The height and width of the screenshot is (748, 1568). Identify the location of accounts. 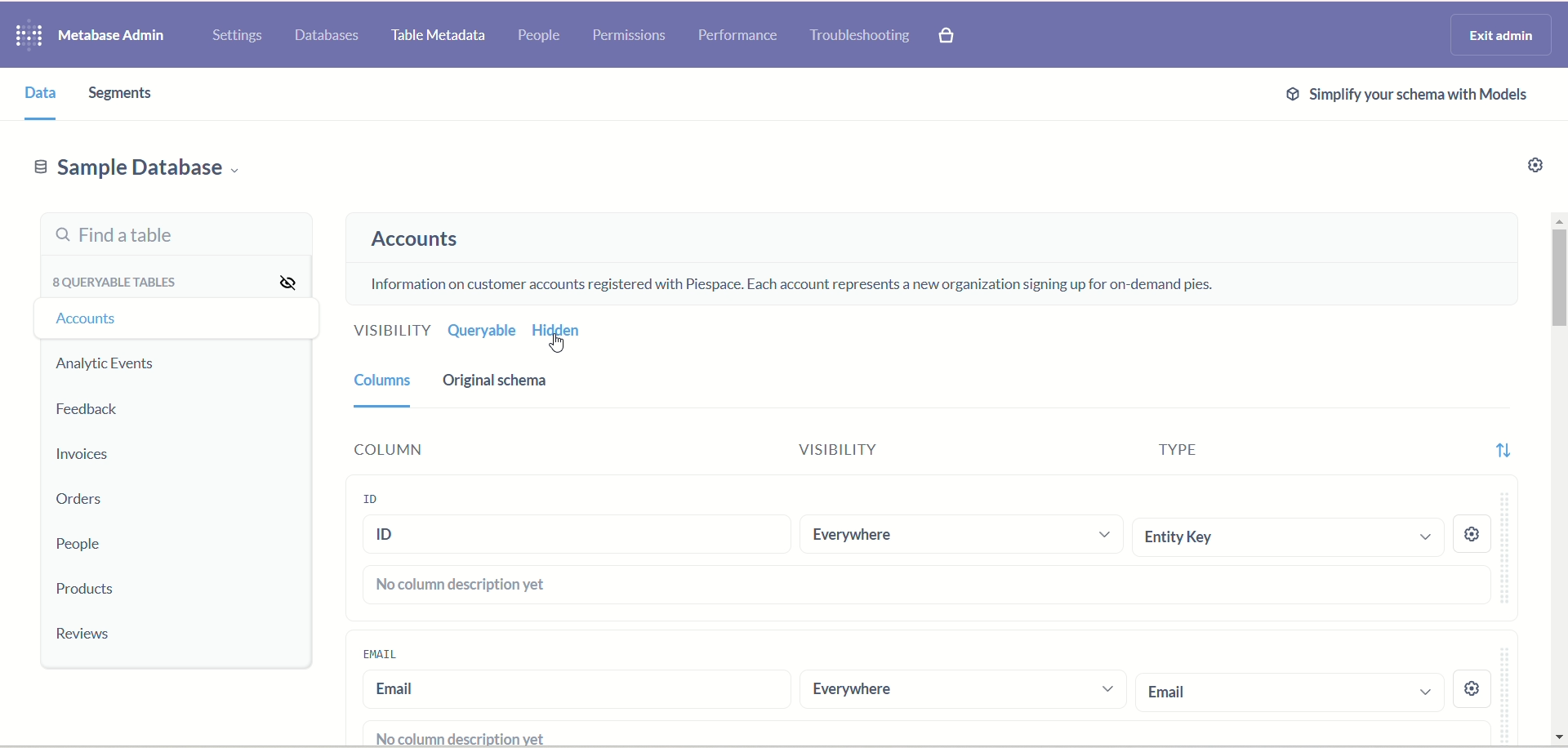
(420, 243).